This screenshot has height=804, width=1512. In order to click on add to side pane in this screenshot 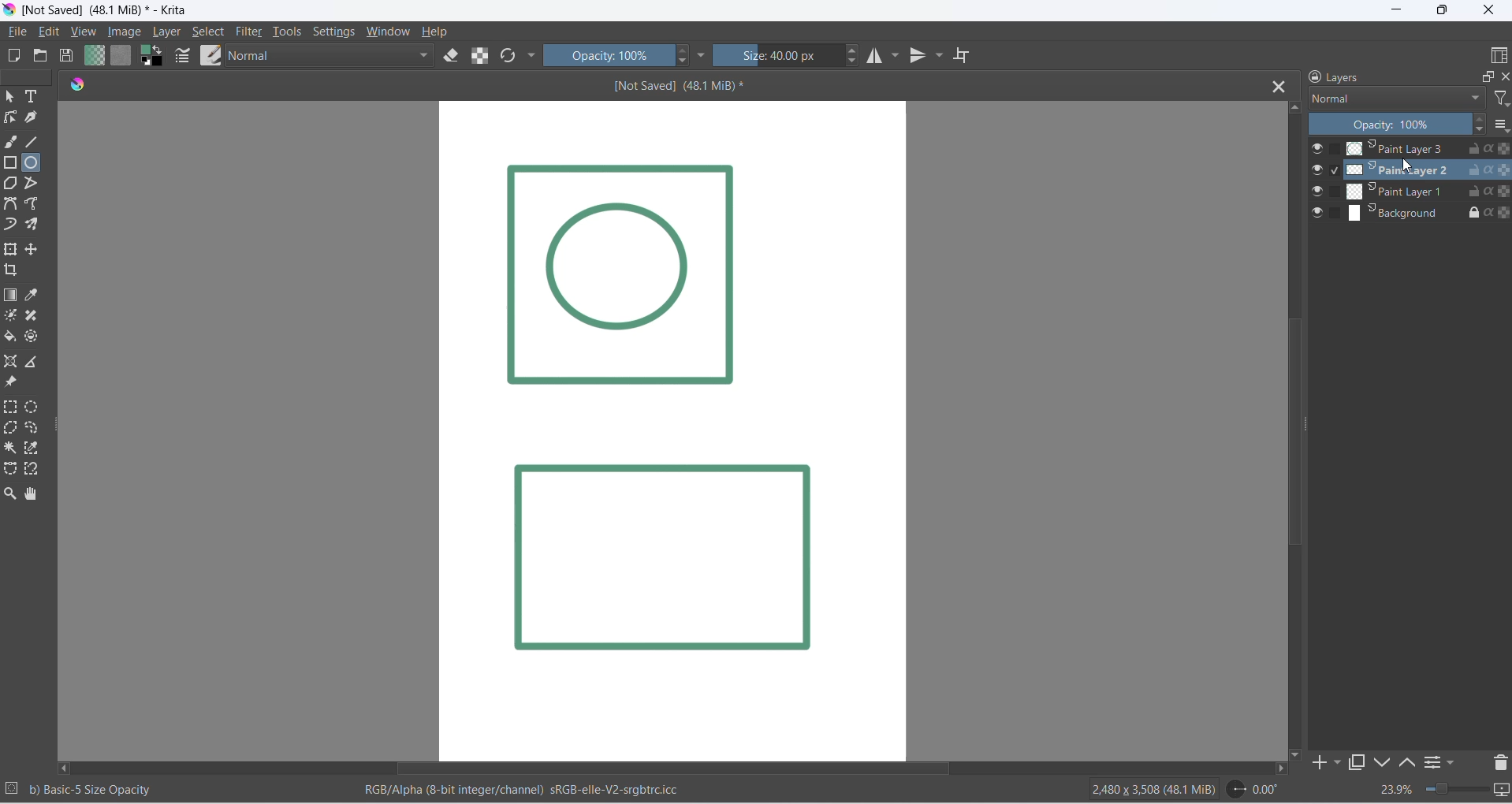, I will do `click(1328, 762)`.